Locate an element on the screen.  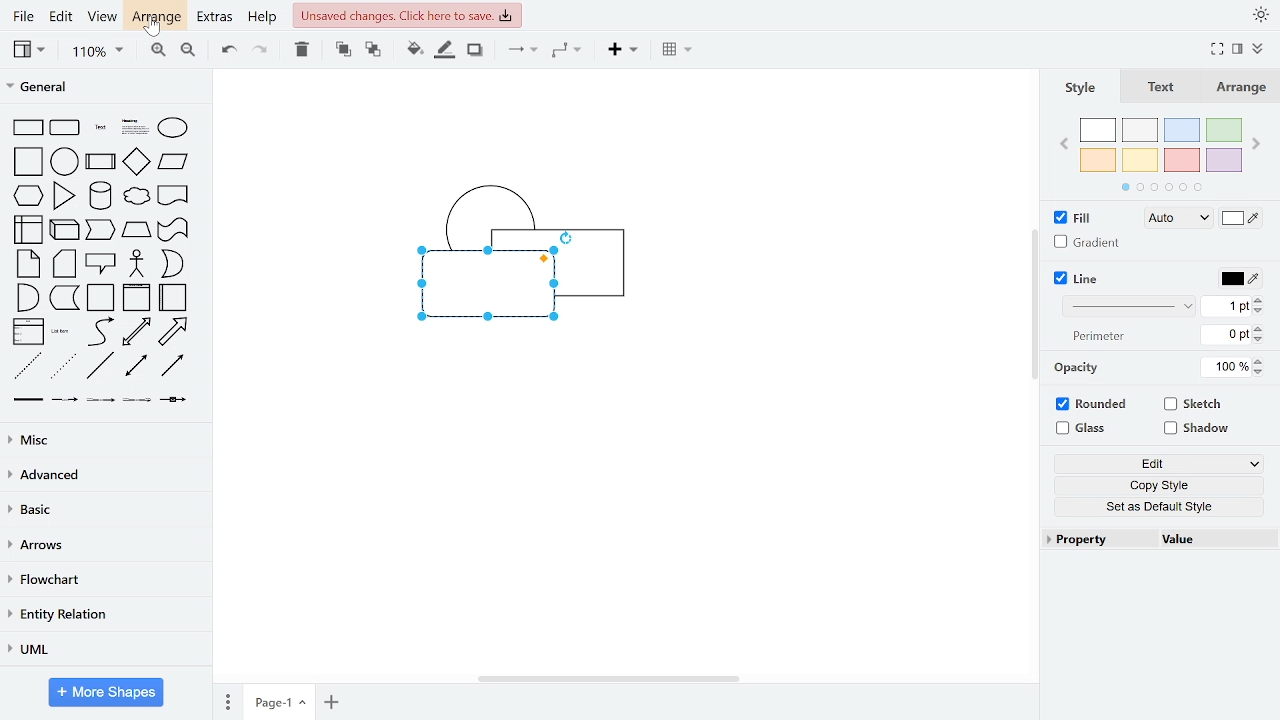
text is located at coordinates (1162, 88).